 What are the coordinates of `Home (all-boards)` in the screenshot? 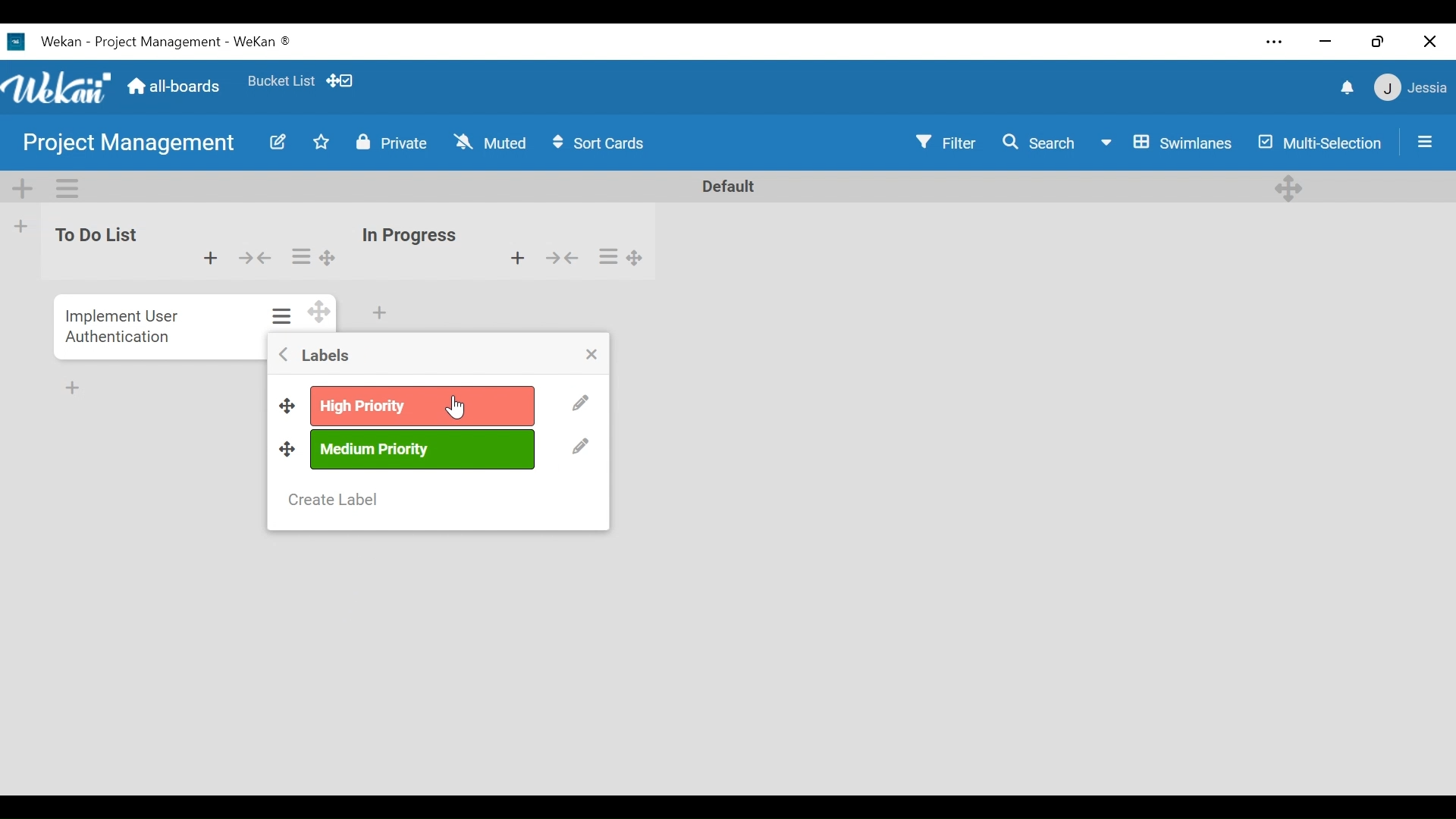 It's located at (176, 88).